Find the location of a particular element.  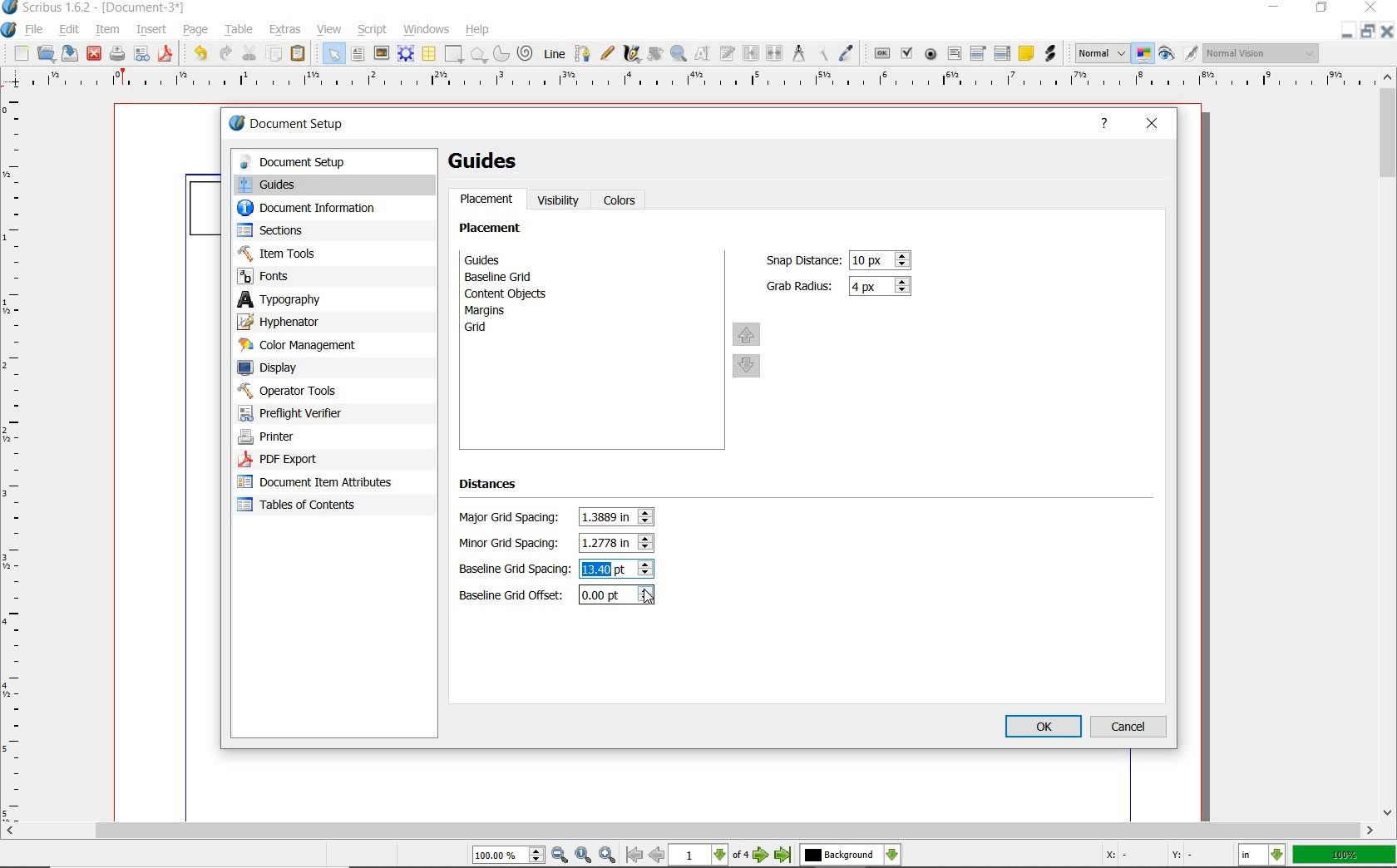

baseline grid spacing is located at coordinates (607, 570).